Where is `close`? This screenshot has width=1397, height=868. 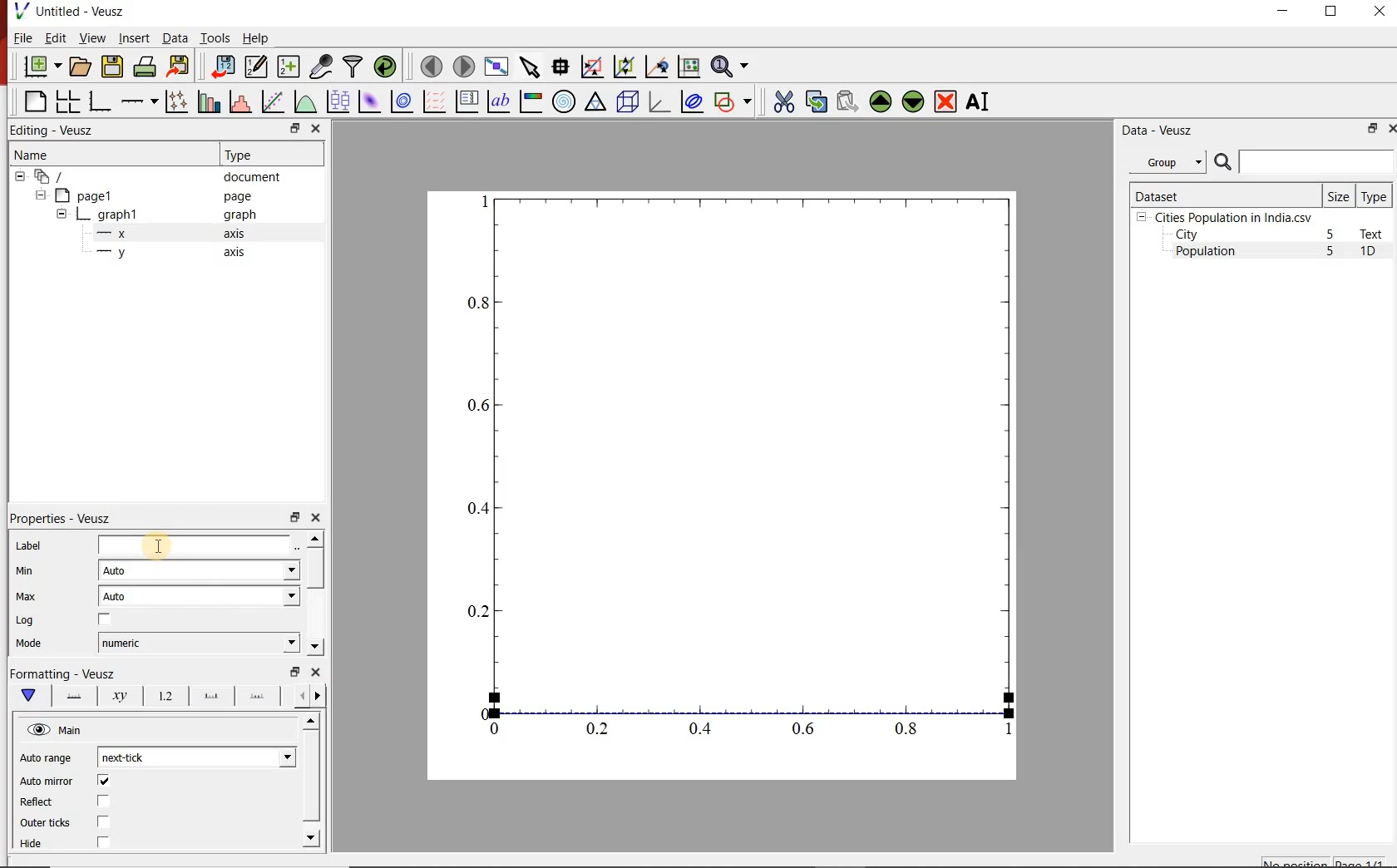 close is located at coordinates (318, 128).